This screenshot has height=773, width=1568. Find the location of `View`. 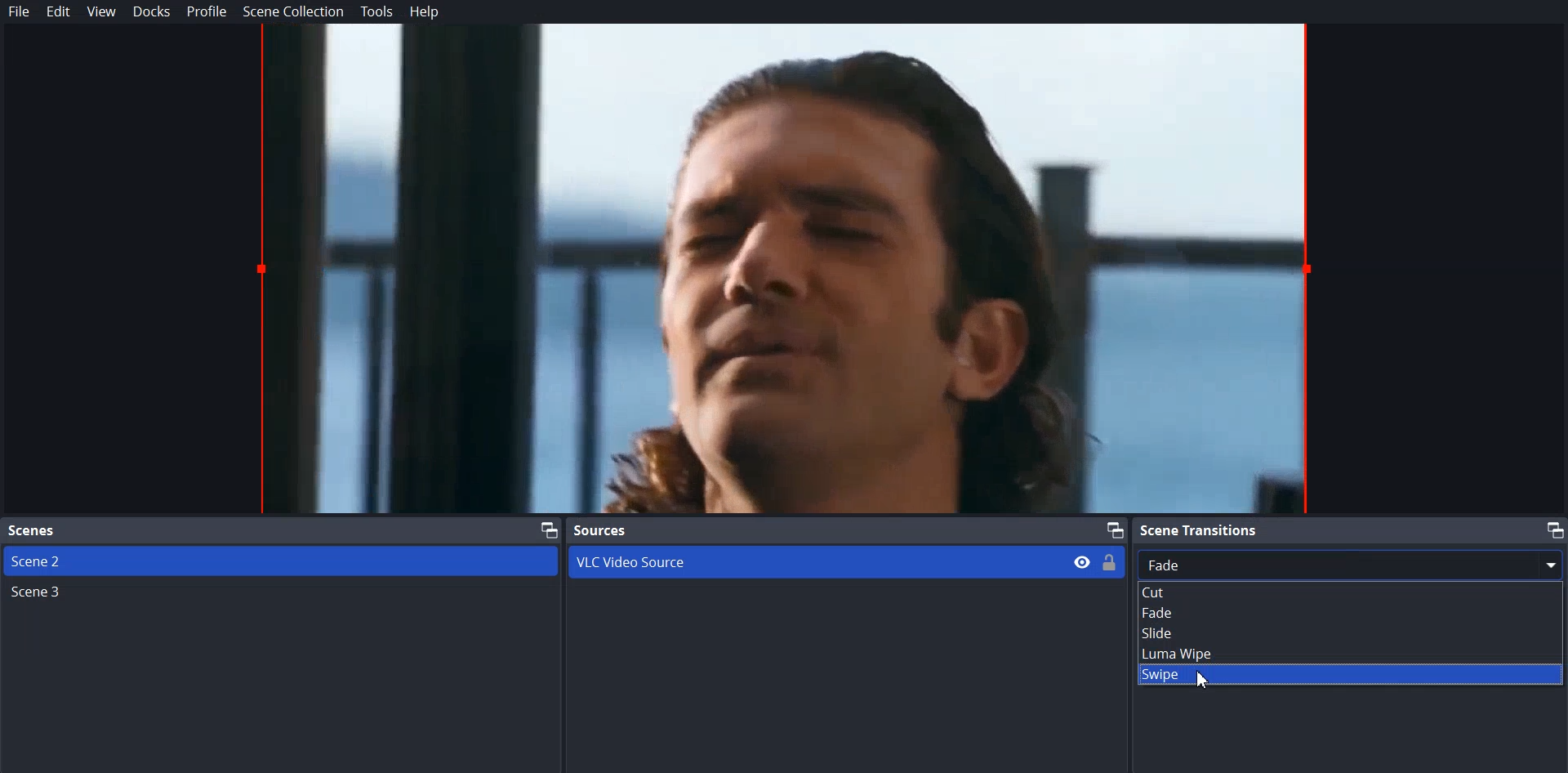

View is located at coordinates (102, 12).